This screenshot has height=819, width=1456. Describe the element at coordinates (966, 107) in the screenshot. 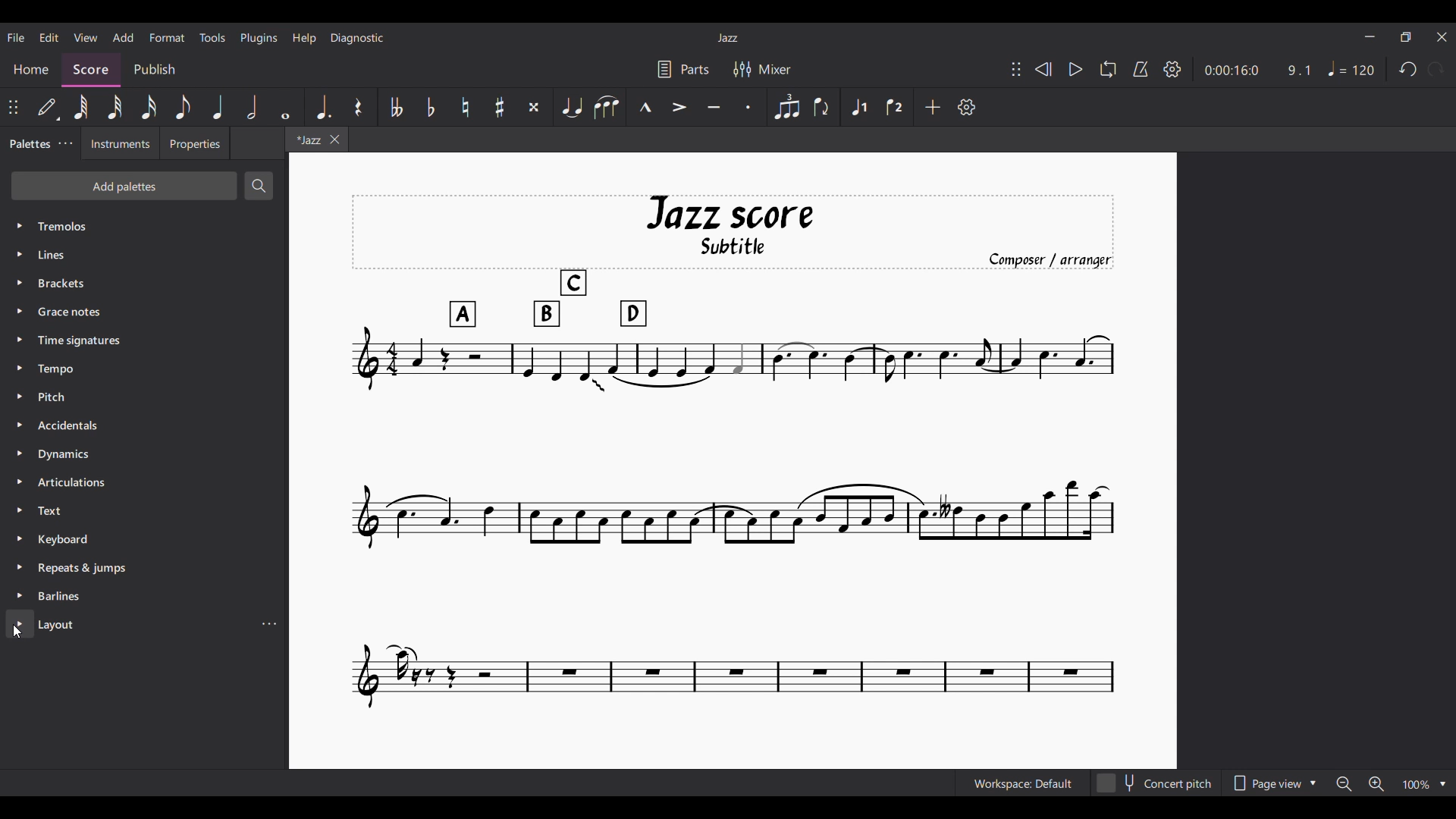

I see `Customize settings` at that location.